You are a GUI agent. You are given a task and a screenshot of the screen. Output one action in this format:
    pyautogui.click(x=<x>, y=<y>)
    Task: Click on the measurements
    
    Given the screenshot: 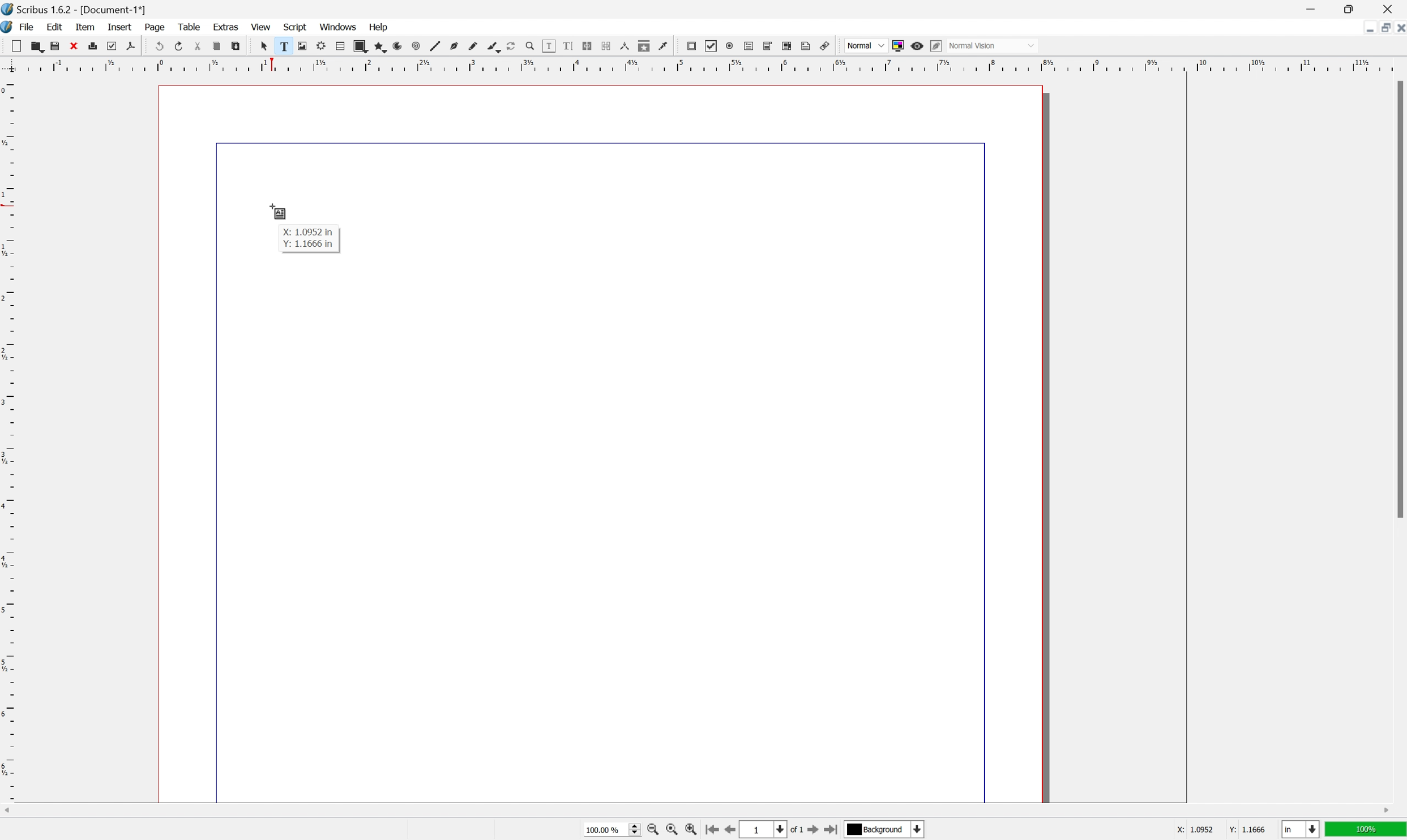 What is the action you would take?
    pyautogui.click(x=625, y=46)
    